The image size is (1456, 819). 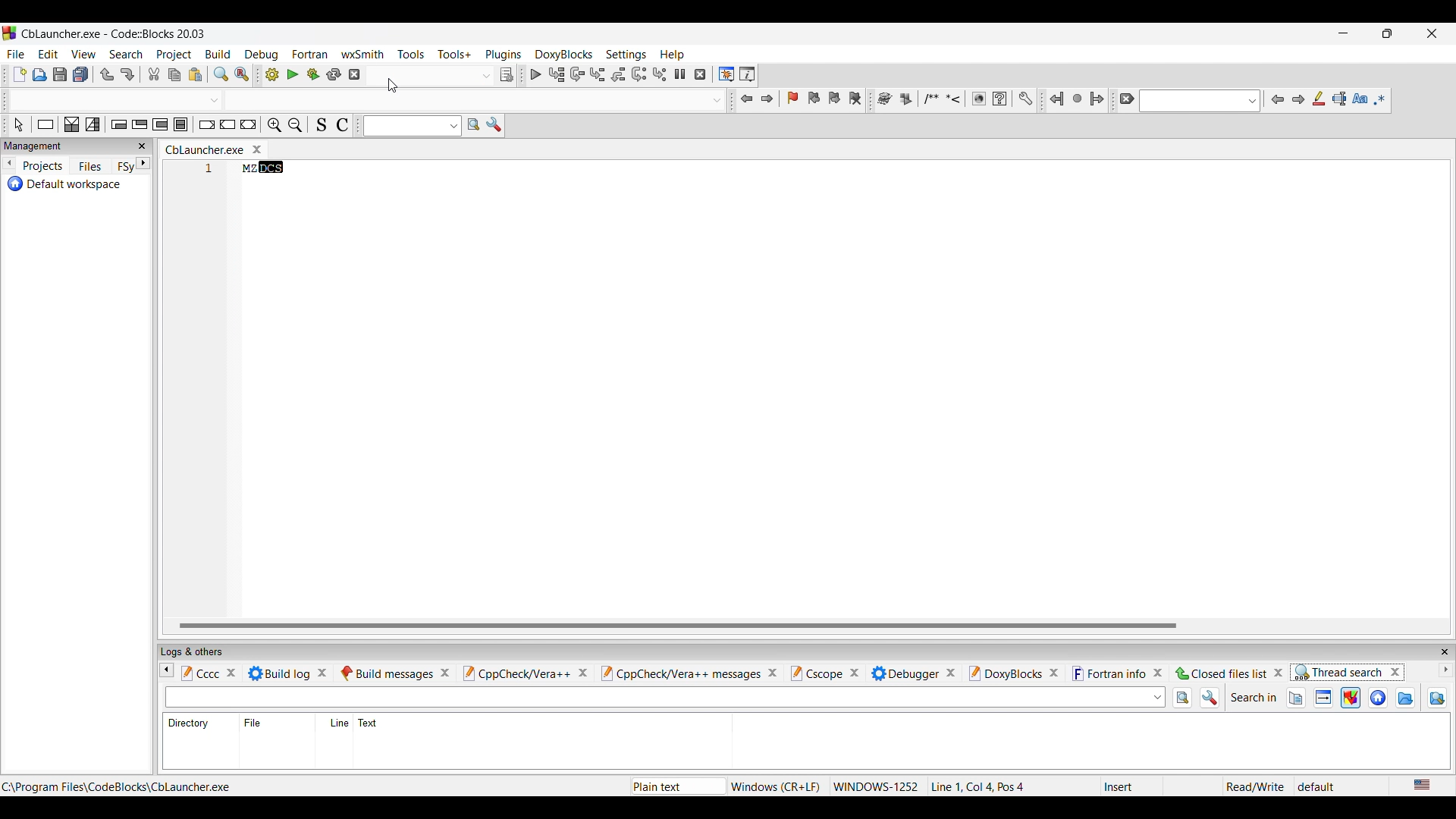 I want to click on Jump back, so click(x=748, y=99).